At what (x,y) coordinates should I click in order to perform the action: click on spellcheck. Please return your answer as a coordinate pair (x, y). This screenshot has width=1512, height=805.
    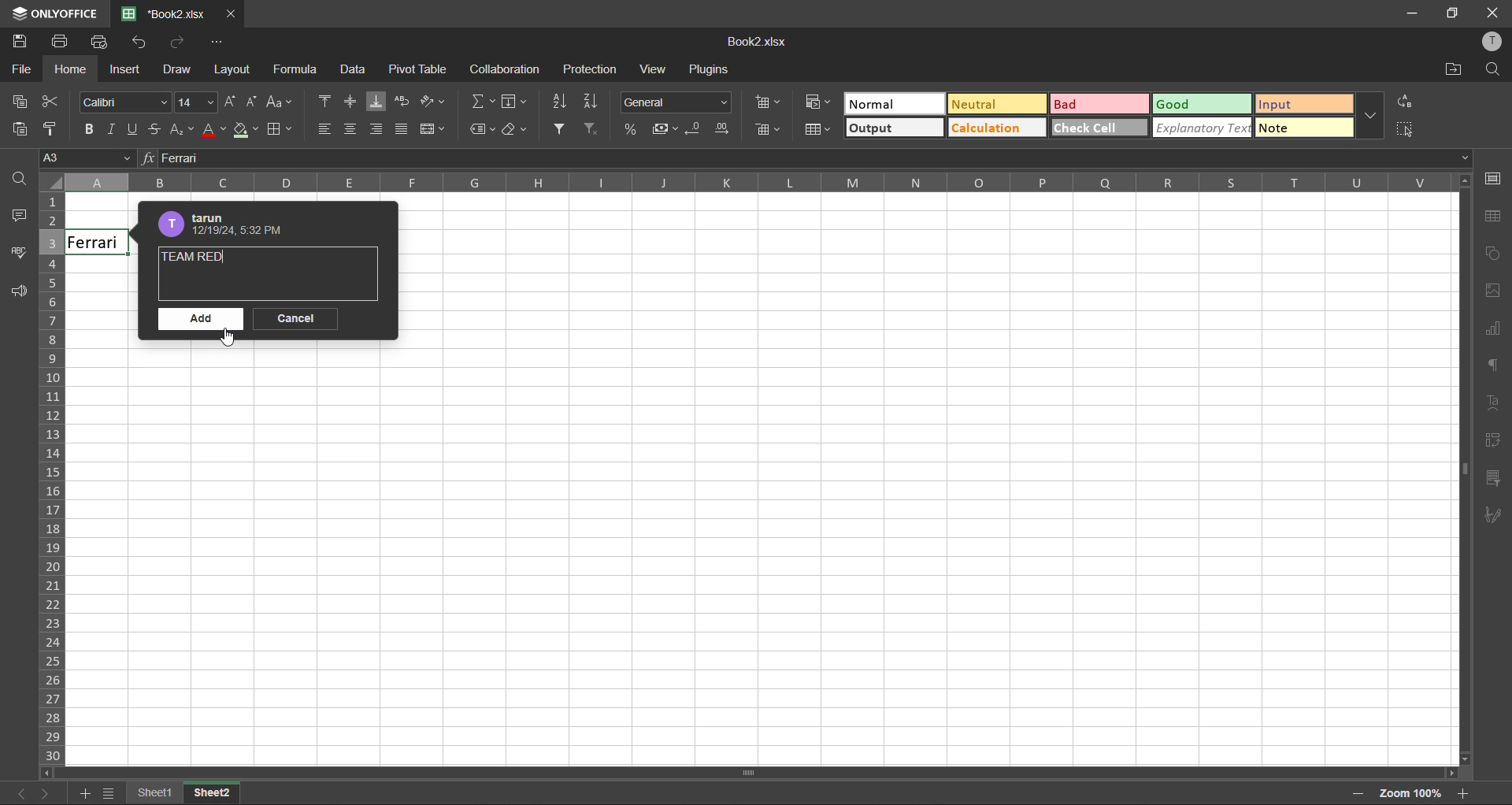
    Looking at the image, I should click on (20, 255).